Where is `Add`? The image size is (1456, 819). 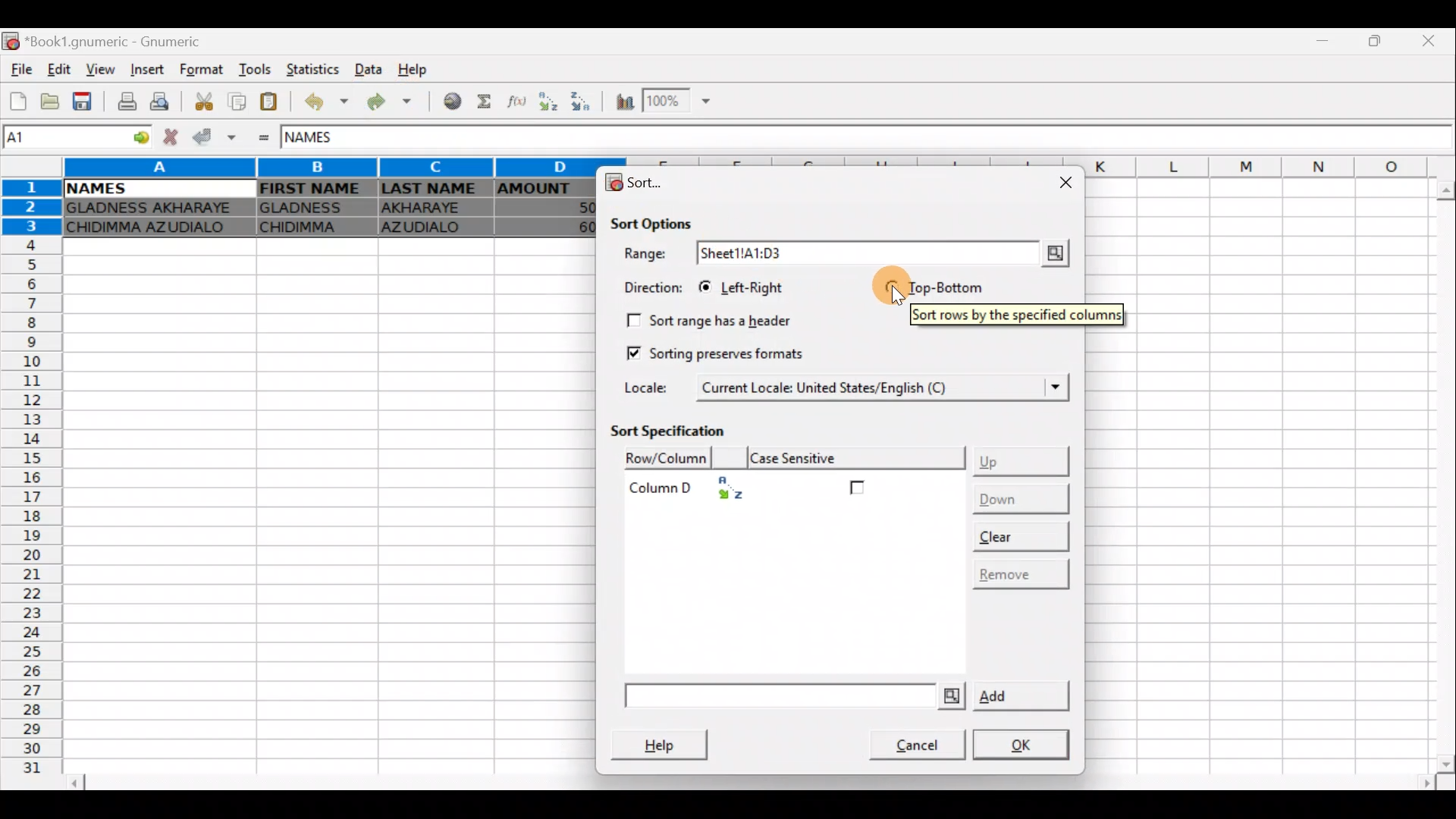 Add is located at coordinates (839, 697).